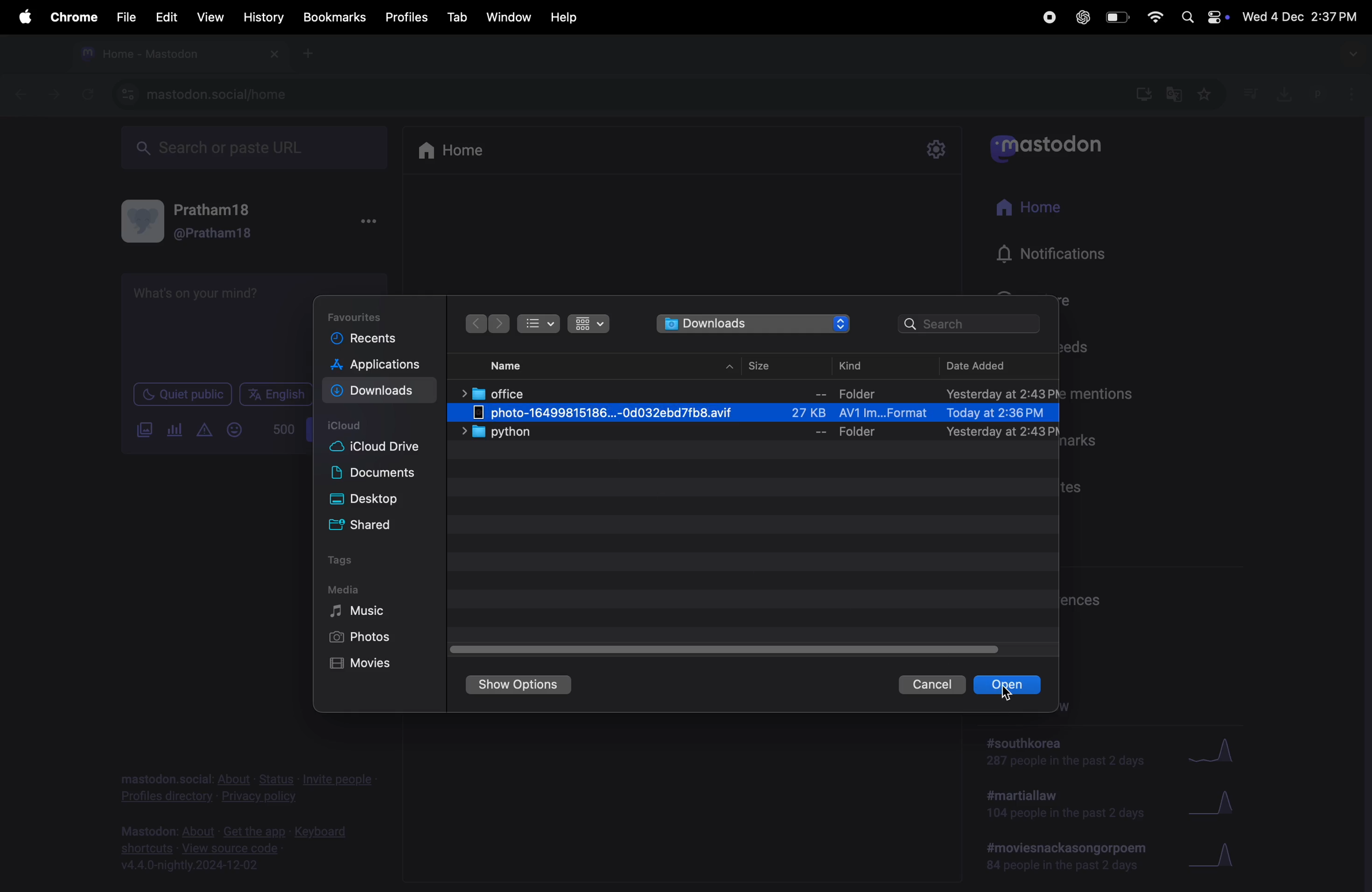 The height and width of the screenshot is (892, 1372). I want to click on mastodon tab, so click(175, 54).